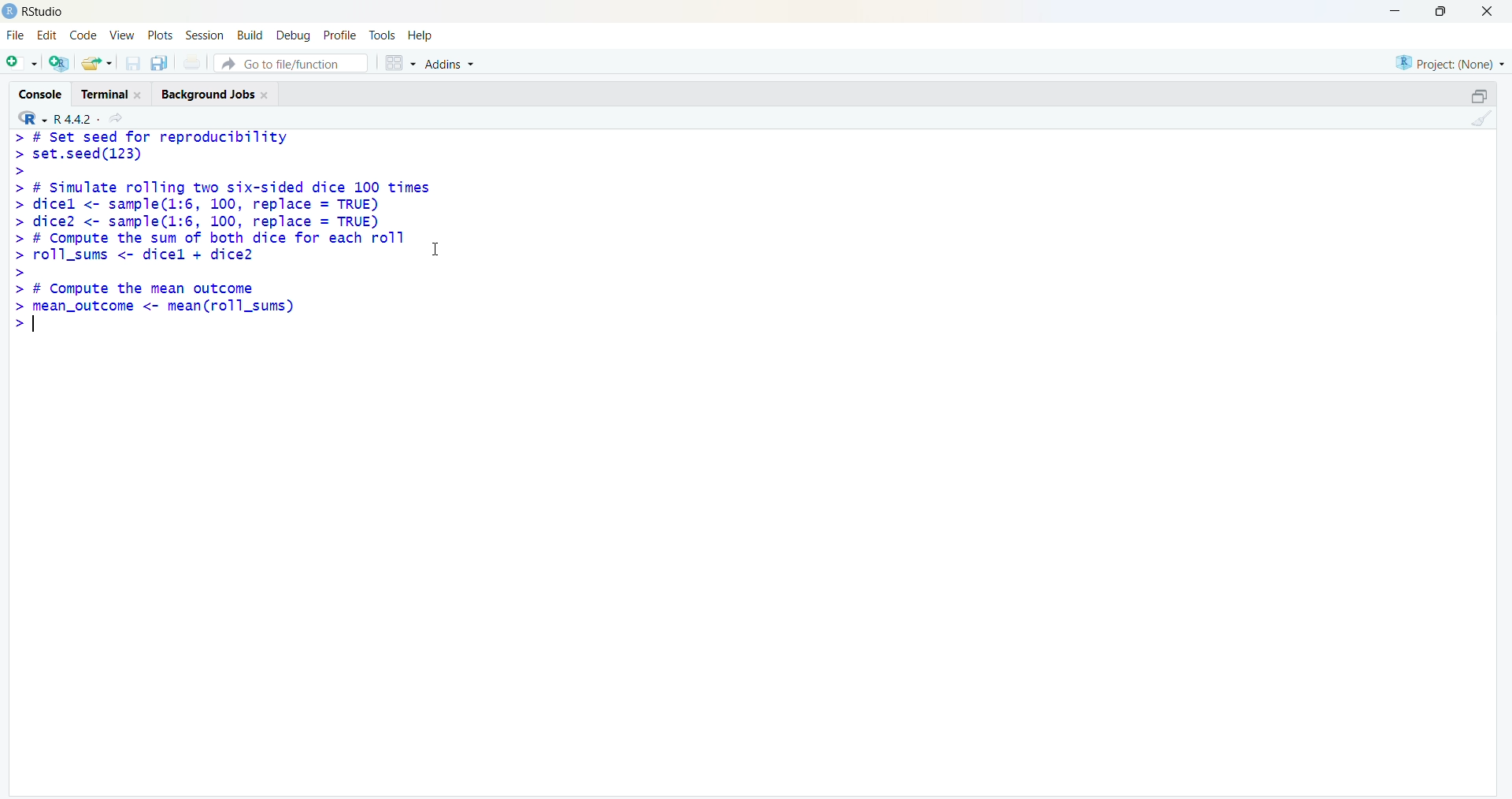 This screenshot has width=1512, height=799. Describe the element at coordinates (1397, 9) in the screenshot. I see `minimise` at that location.